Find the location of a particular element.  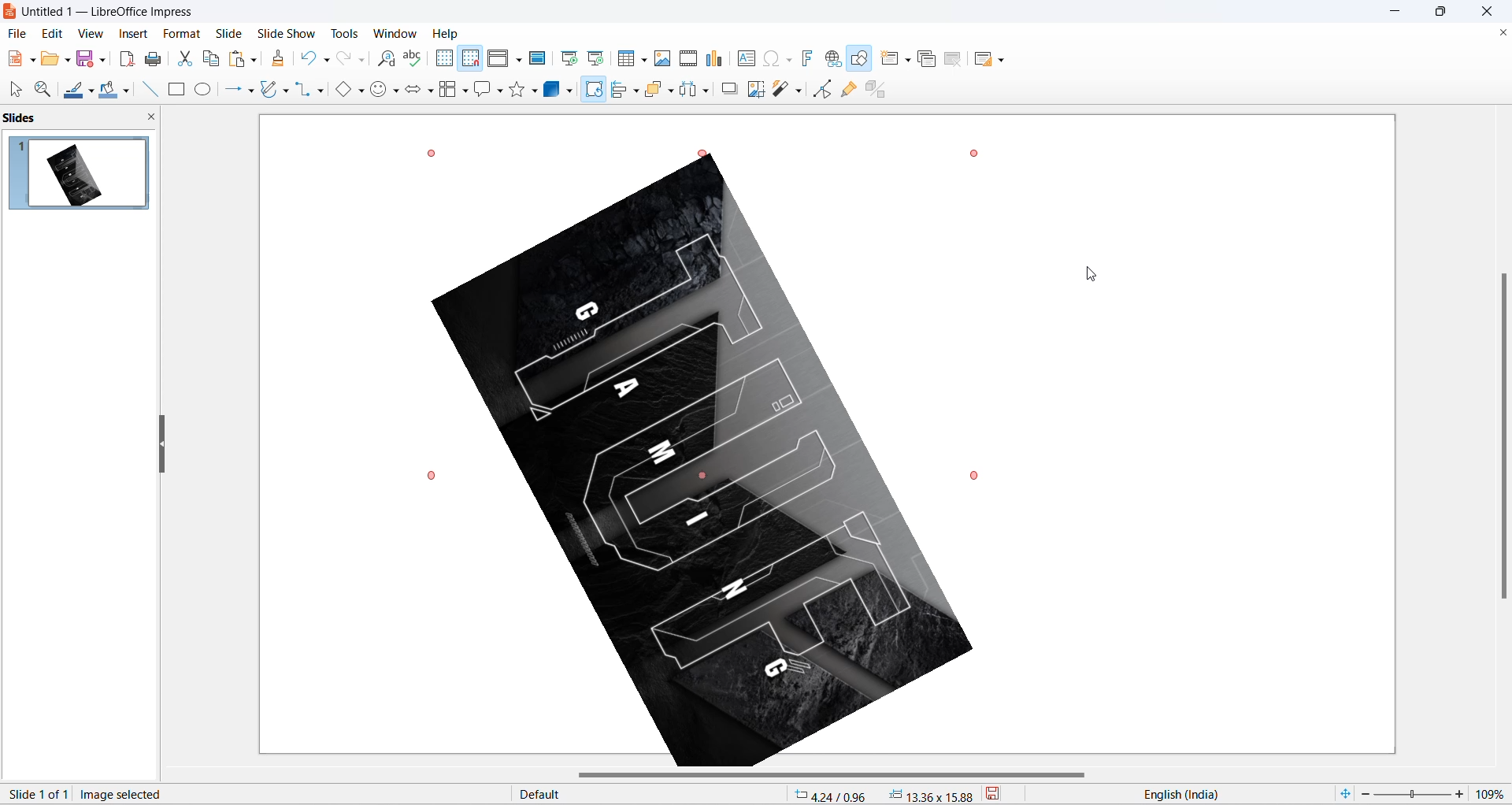

filter options is located at coordinates (798, 90).